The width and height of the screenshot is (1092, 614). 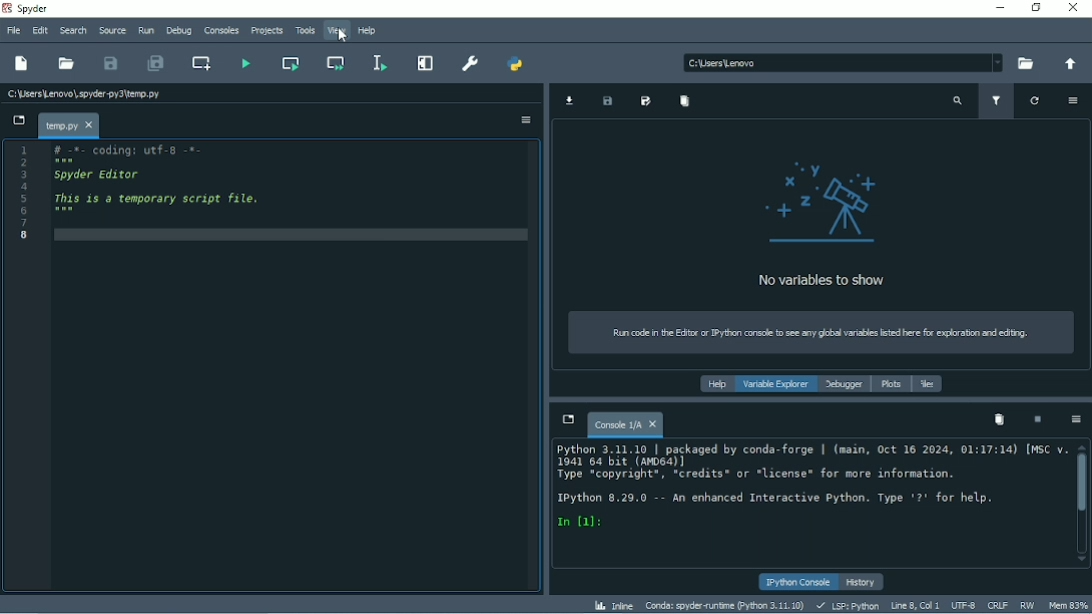 What do you see at coordinates (1074, 8) in the screenshot?
I see `Close` at bounding box center [1074, 8].